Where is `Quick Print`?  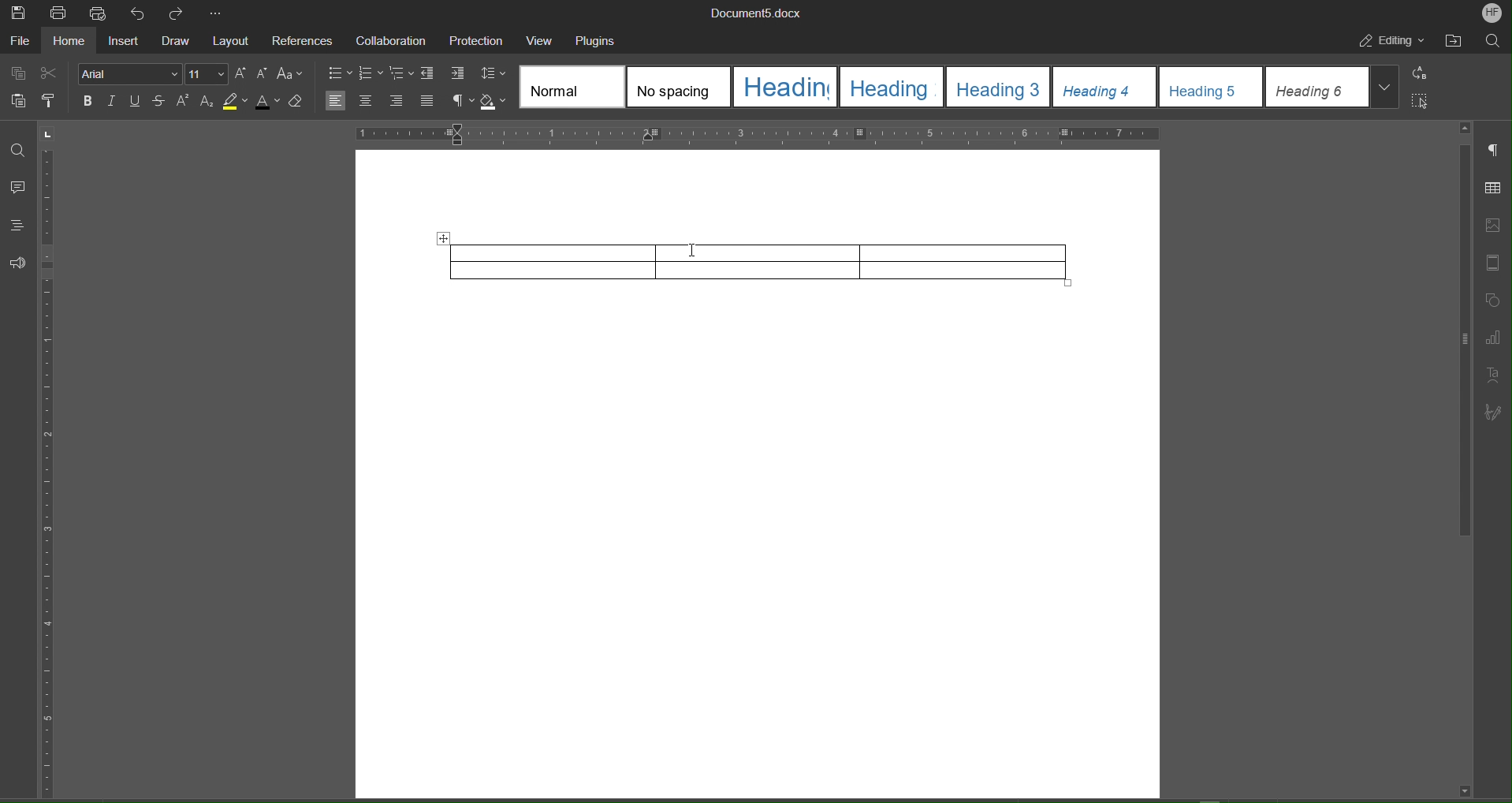 Quick Print is located at coordinates (102, 14).